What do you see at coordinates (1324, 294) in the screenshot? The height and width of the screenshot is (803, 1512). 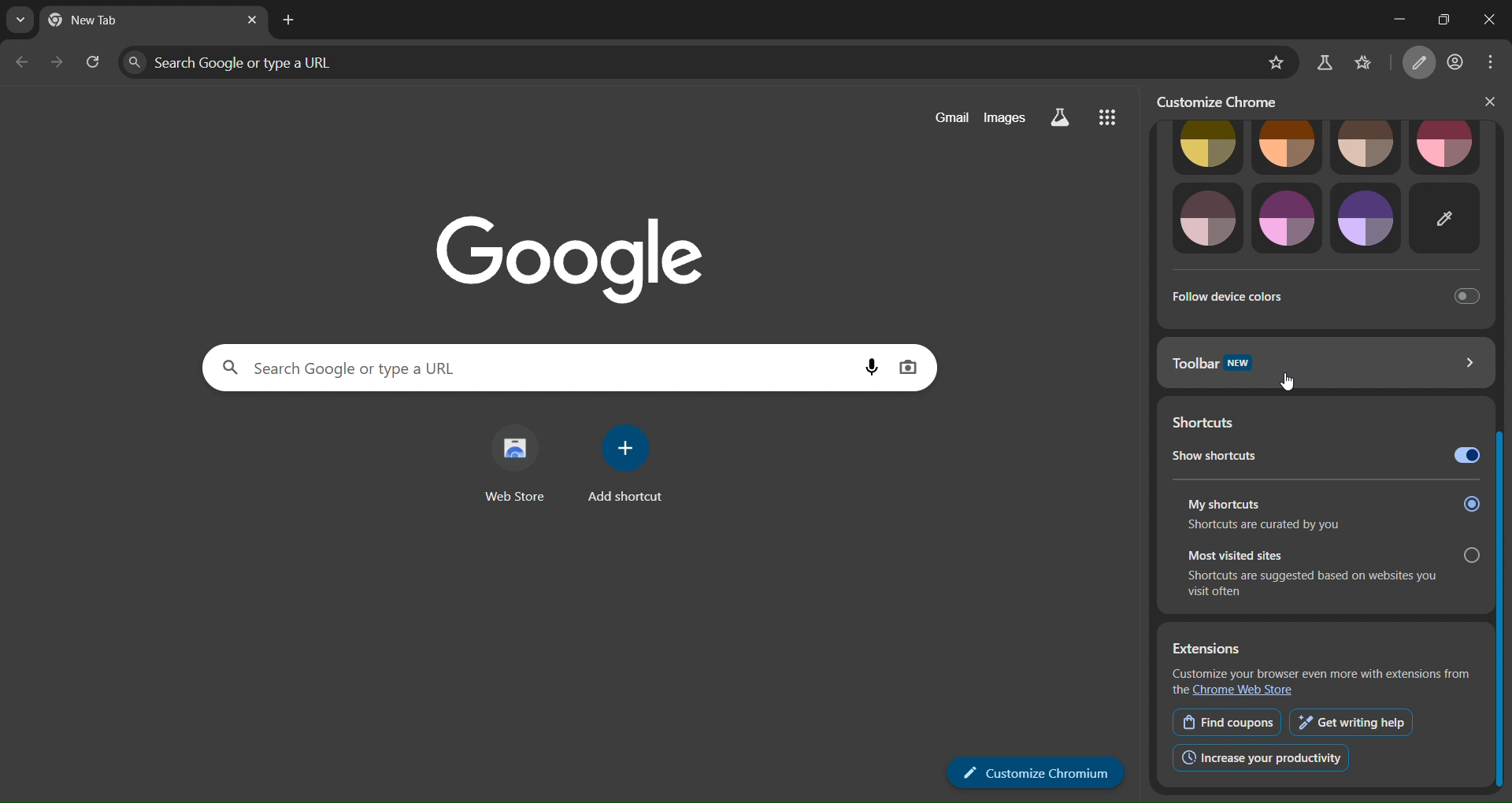 I see `follow device colors` at bounding box center [1324, 294].